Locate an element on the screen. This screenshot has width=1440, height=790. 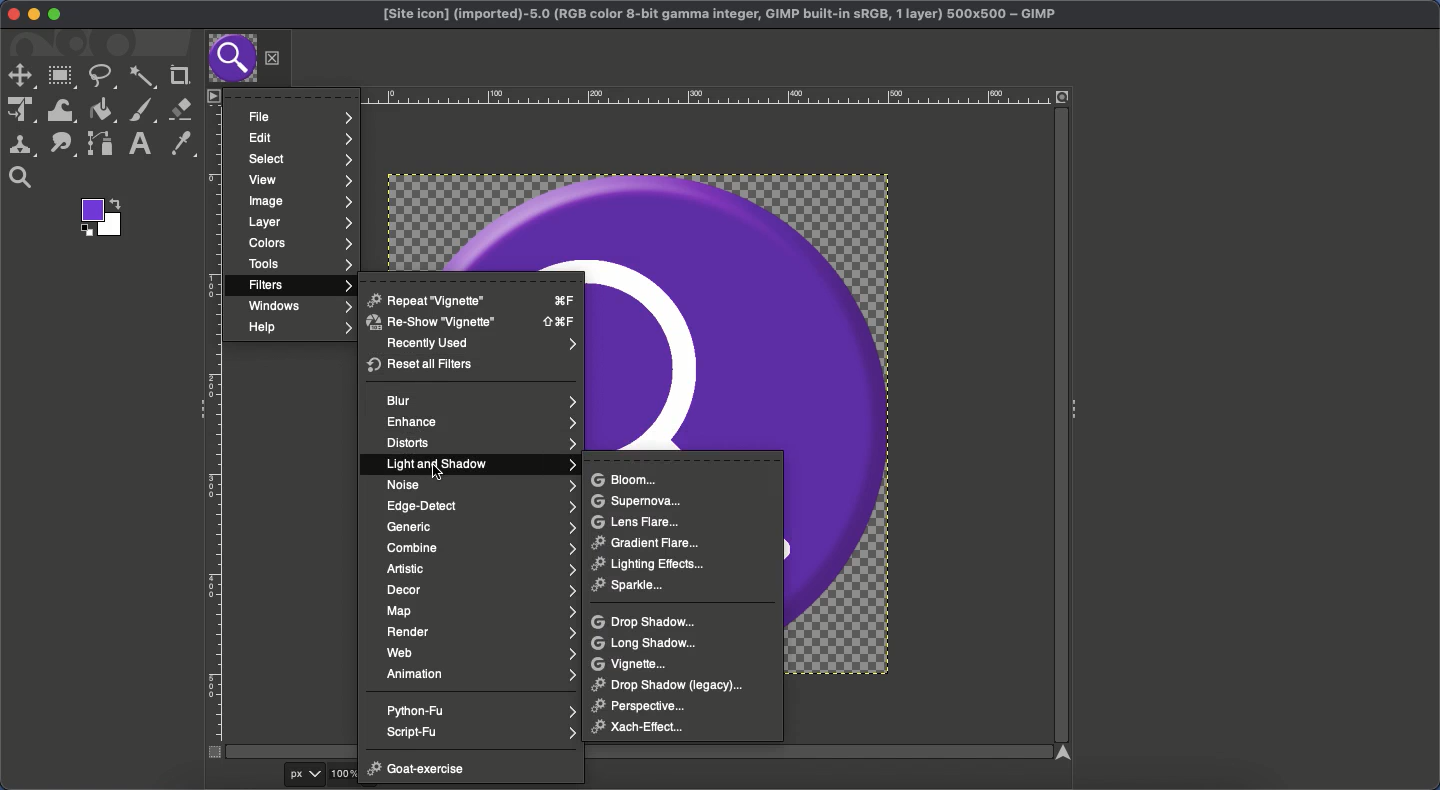
Tab is located at coordinates (231, 59).